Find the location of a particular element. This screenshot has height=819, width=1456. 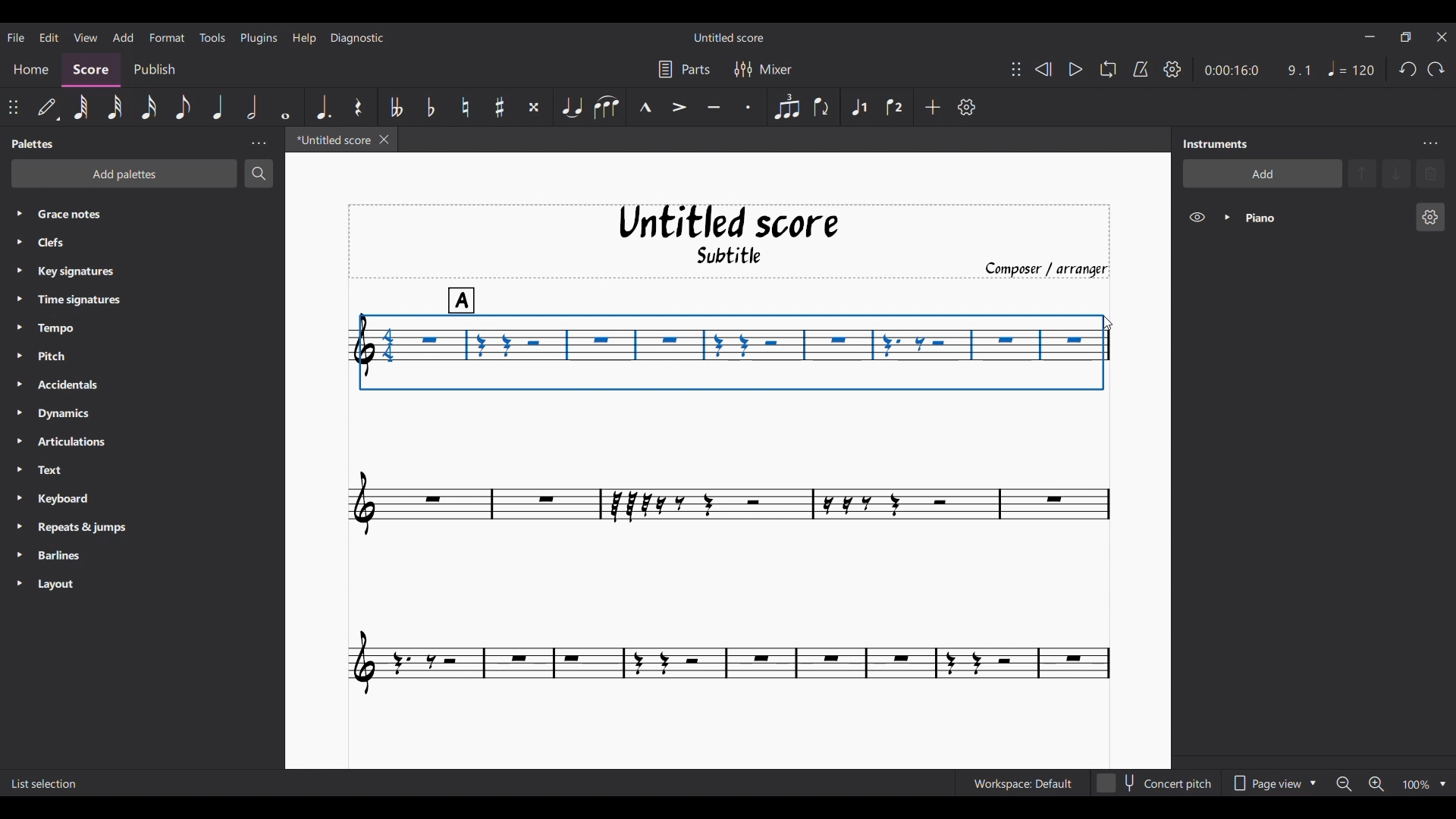

Tempo is located at coordinates (85, 329).